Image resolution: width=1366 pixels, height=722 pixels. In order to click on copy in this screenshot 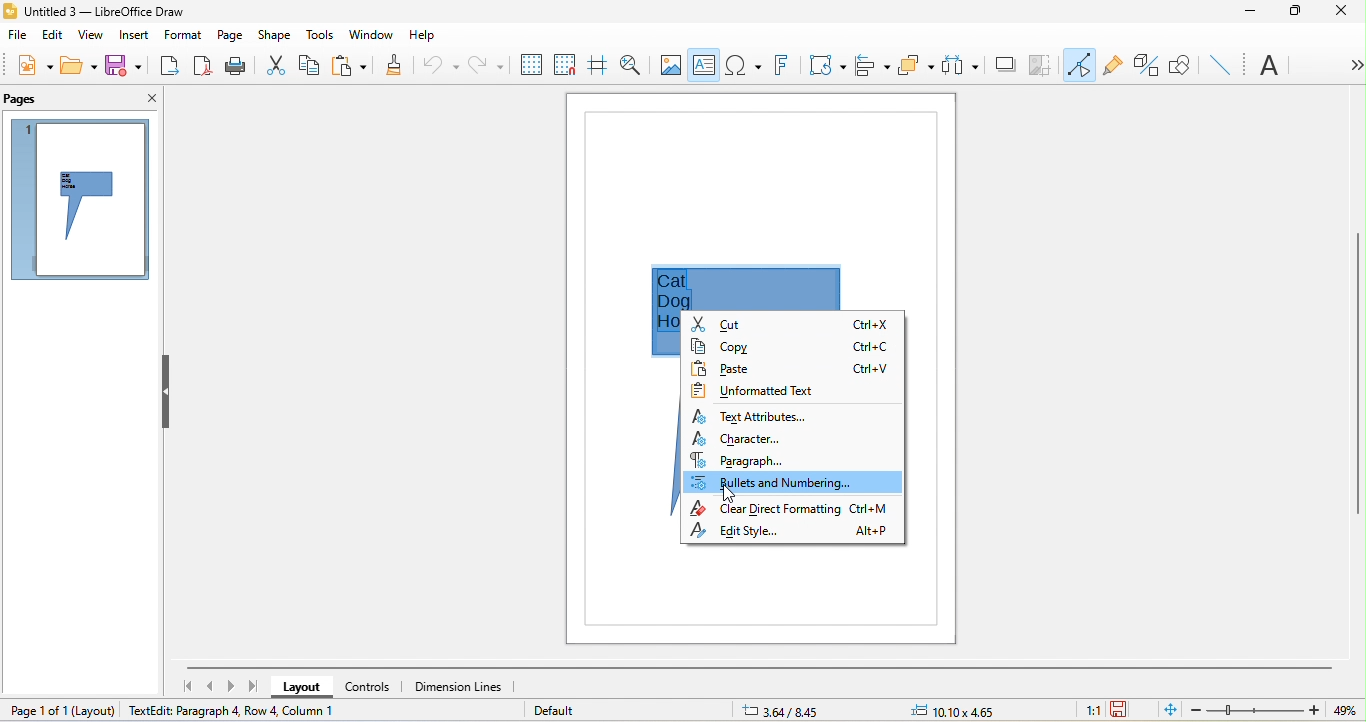, I will do `click(794, 347)`.